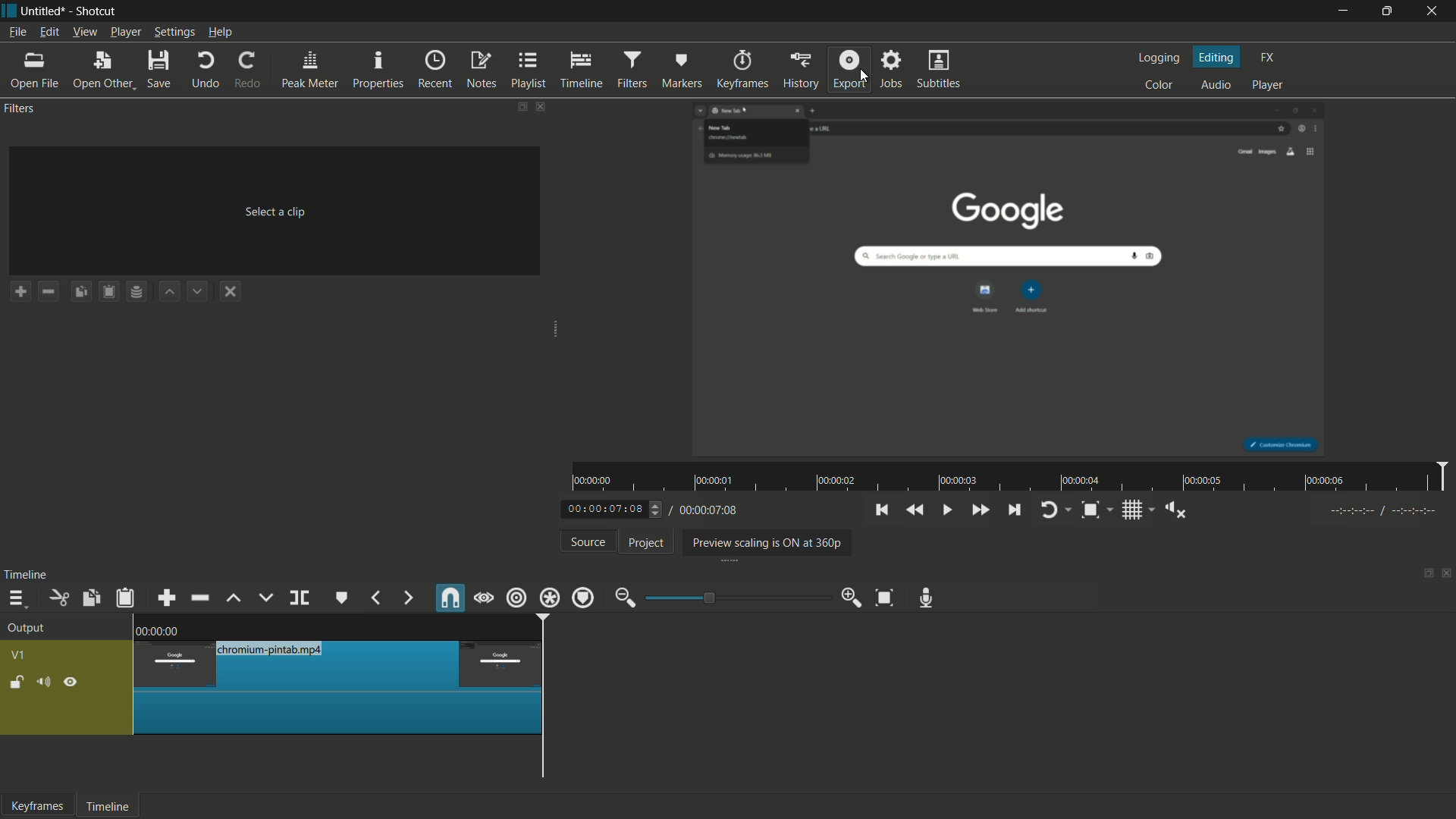  I want to click on imported file name, so click(276, 133).